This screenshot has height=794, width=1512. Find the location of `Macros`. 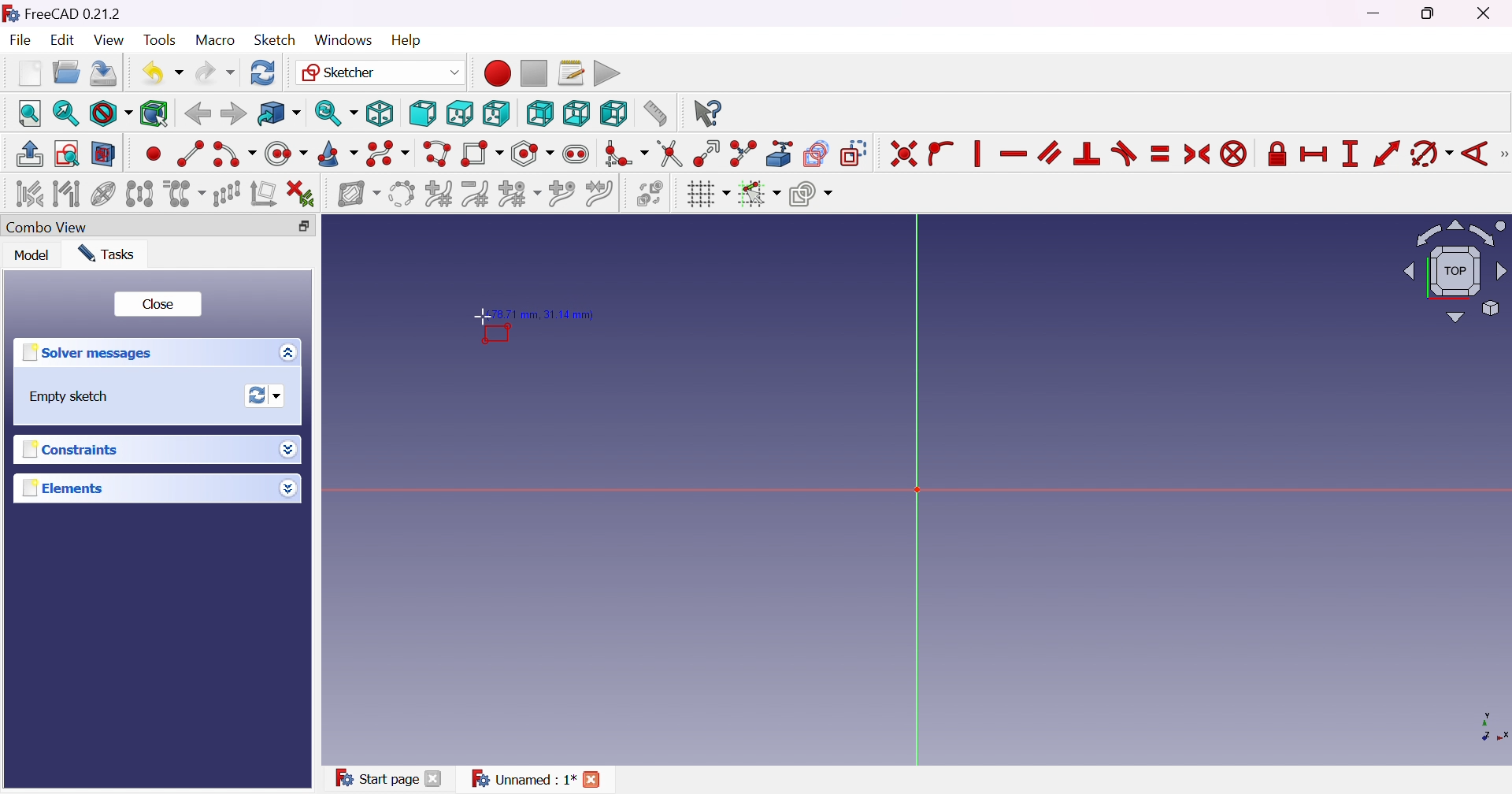

Macros is located at coordinates (571, 72).